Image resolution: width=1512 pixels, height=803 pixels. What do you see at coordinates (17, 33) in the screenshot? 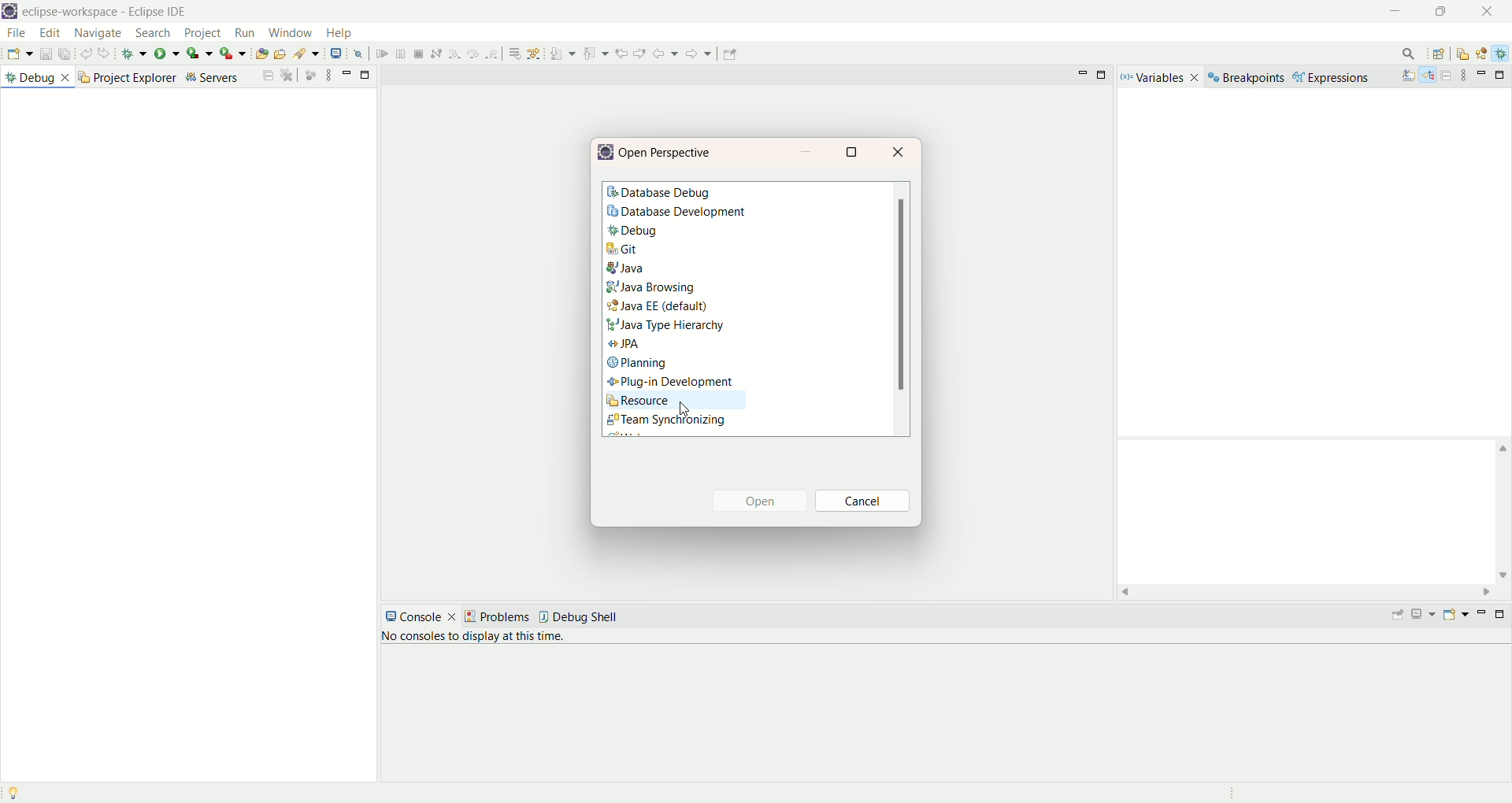
I see `file` at bounding box center [17, 33].